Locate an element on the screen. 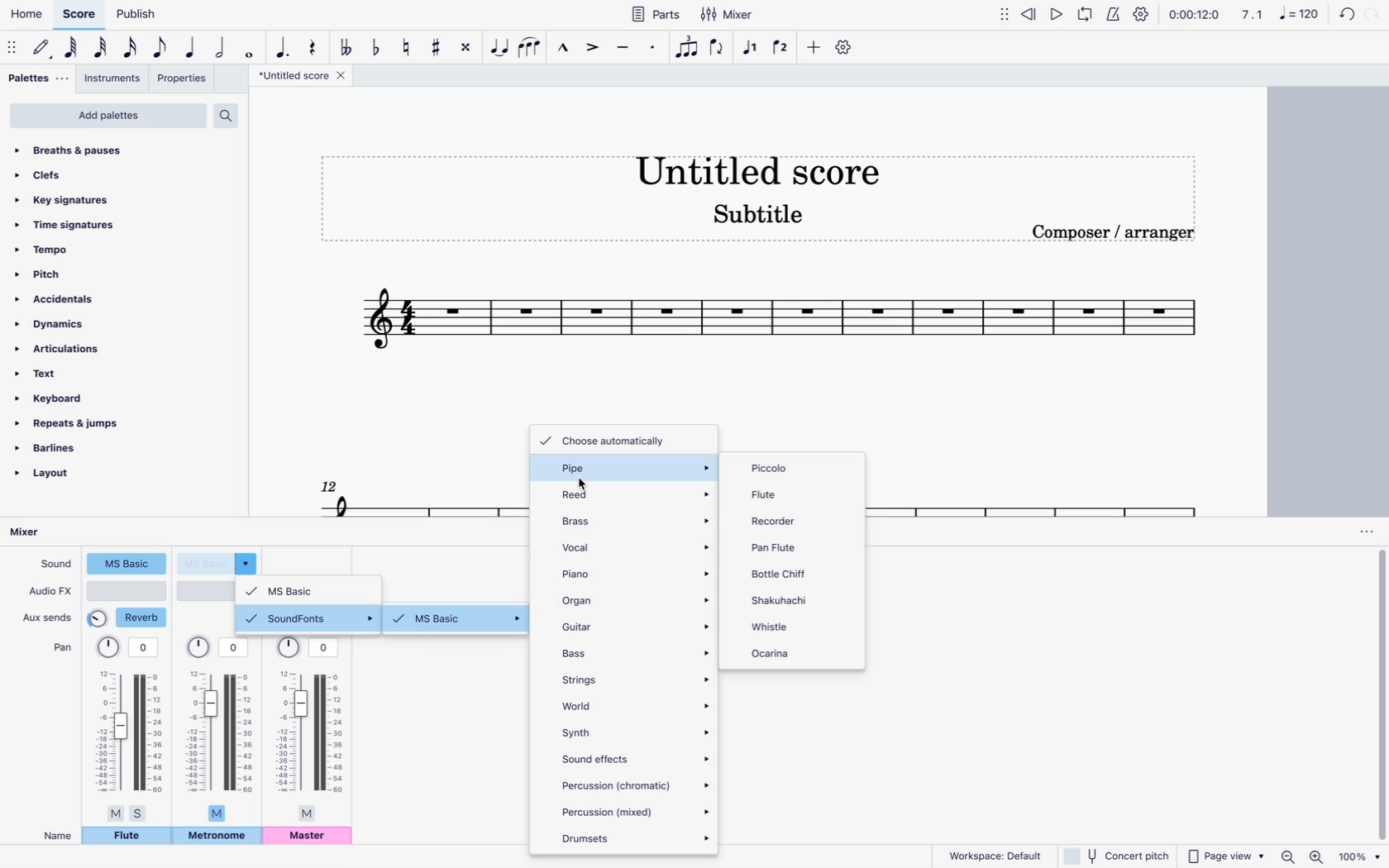 This screenshot has height=868, width=1389. zoom in is located at coordinates (1316, 856).